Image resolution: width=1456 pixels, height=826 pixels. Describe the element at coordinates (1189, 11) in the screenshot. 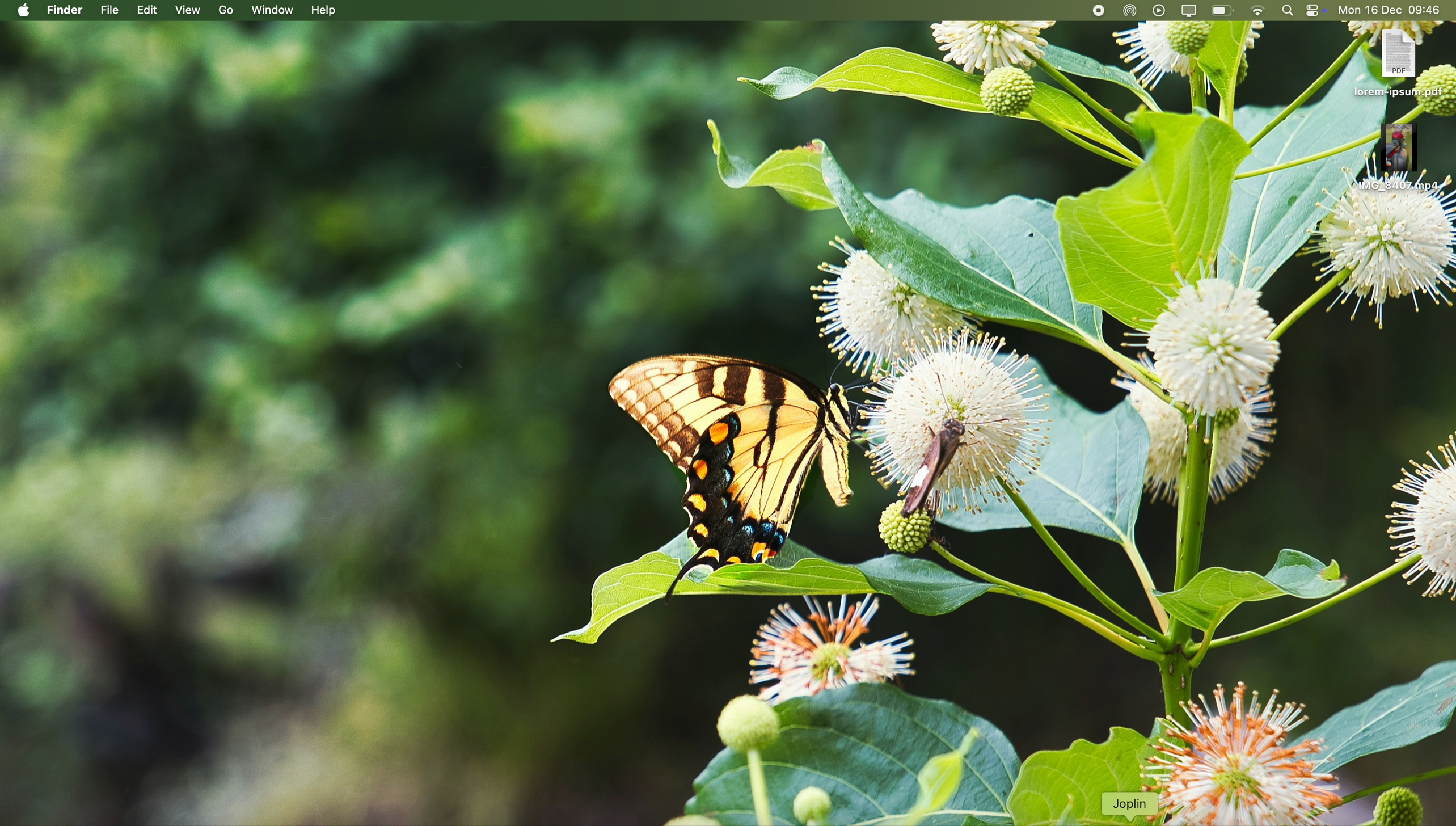

I see `screen` at that location.